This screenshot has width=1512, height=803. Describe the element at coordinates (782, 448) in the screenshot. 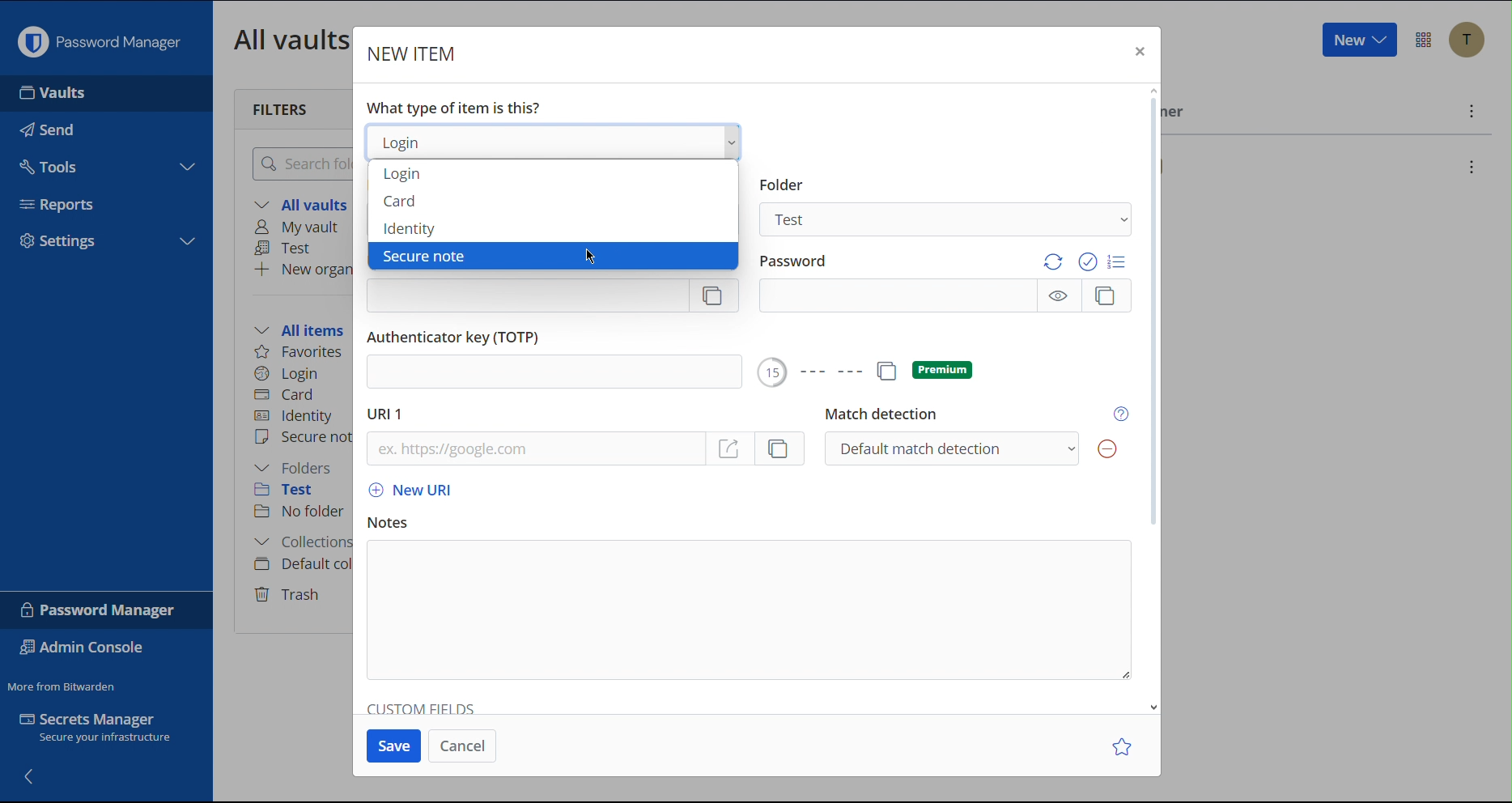

I see `copy` at that location.